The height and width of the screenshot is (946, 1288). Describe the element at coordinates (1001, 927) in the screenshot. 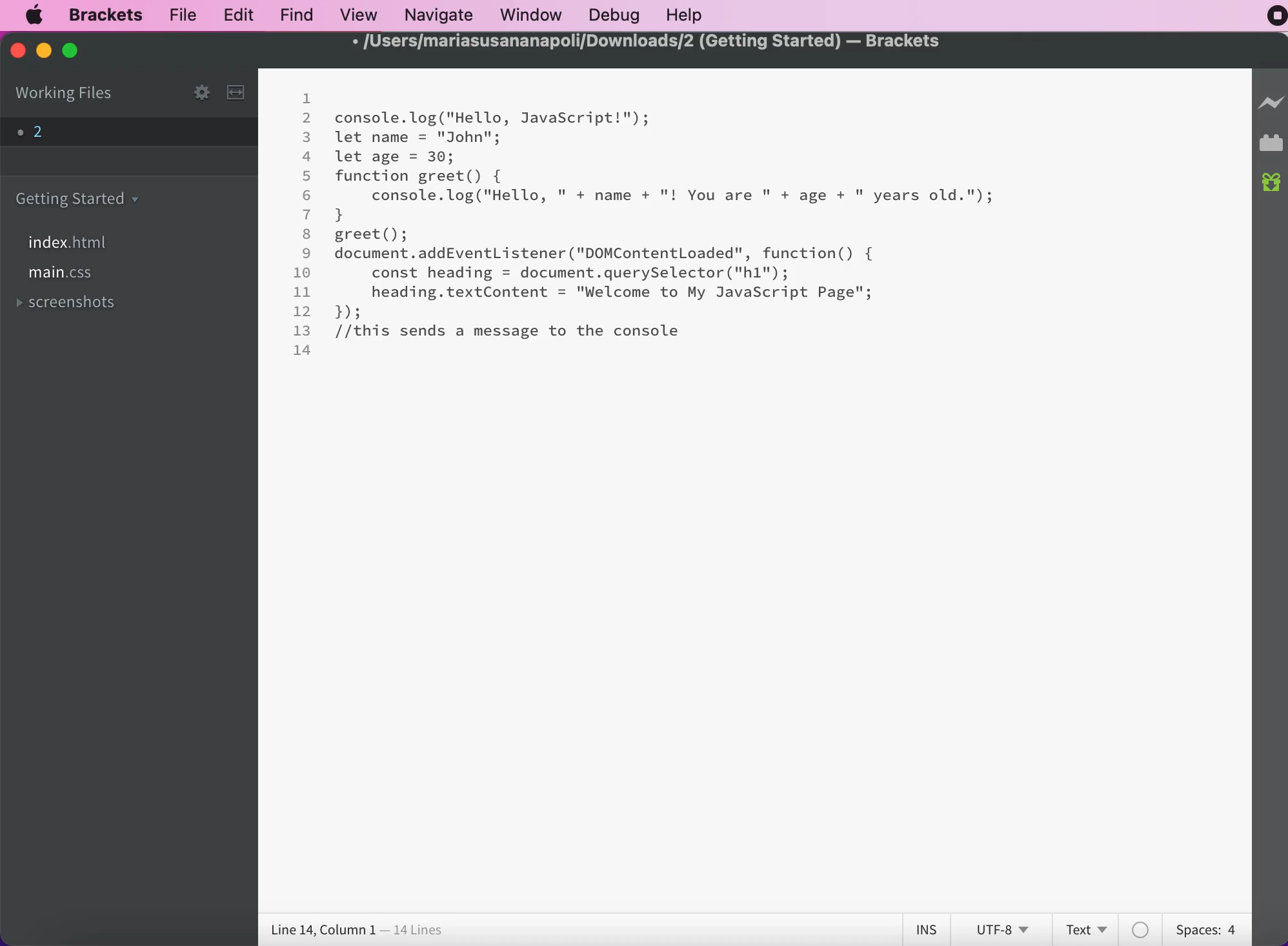

I see `utf-8` at that location.